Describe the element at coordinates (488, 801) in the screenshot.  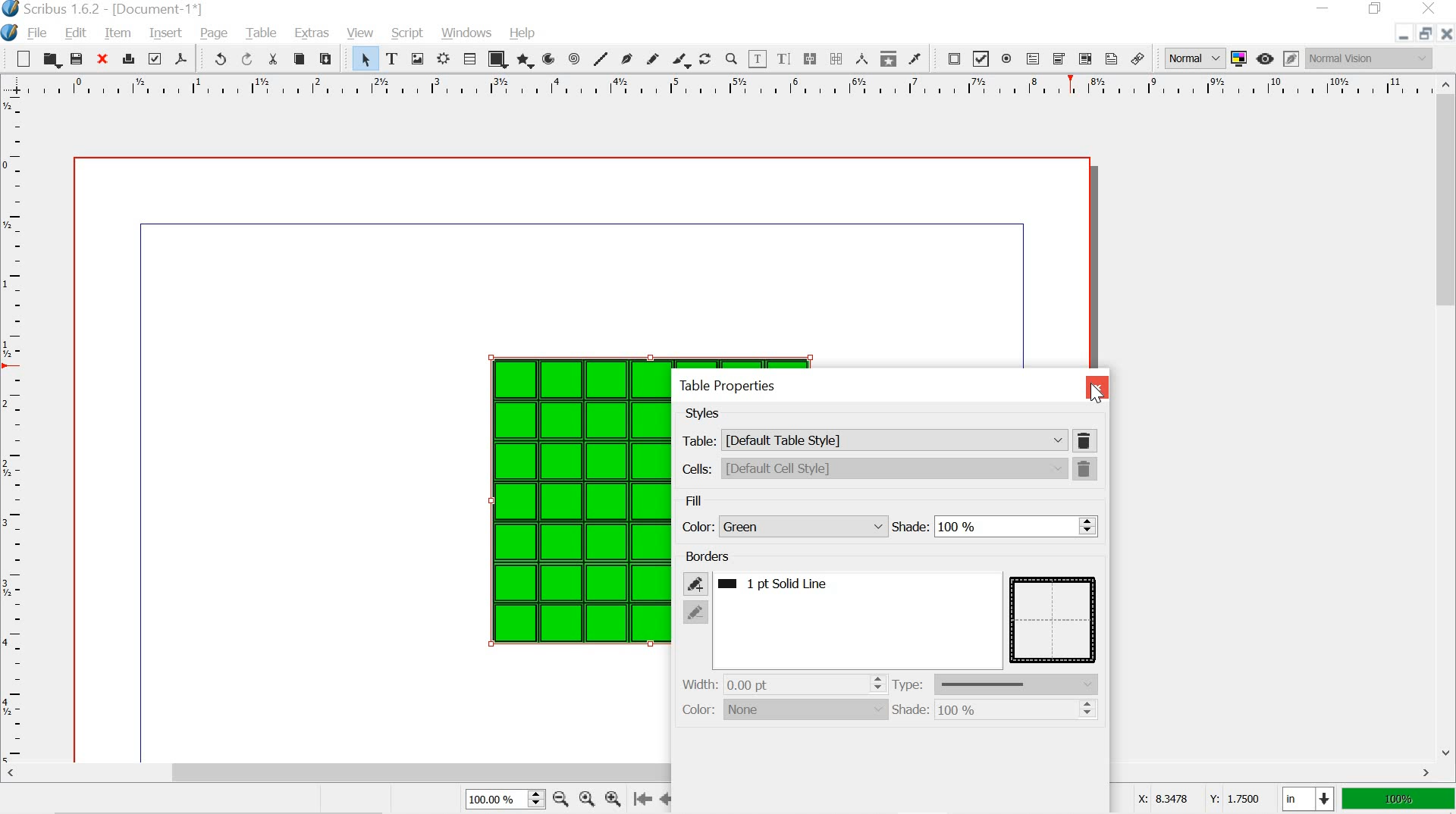
I see `100.00%` at that location.